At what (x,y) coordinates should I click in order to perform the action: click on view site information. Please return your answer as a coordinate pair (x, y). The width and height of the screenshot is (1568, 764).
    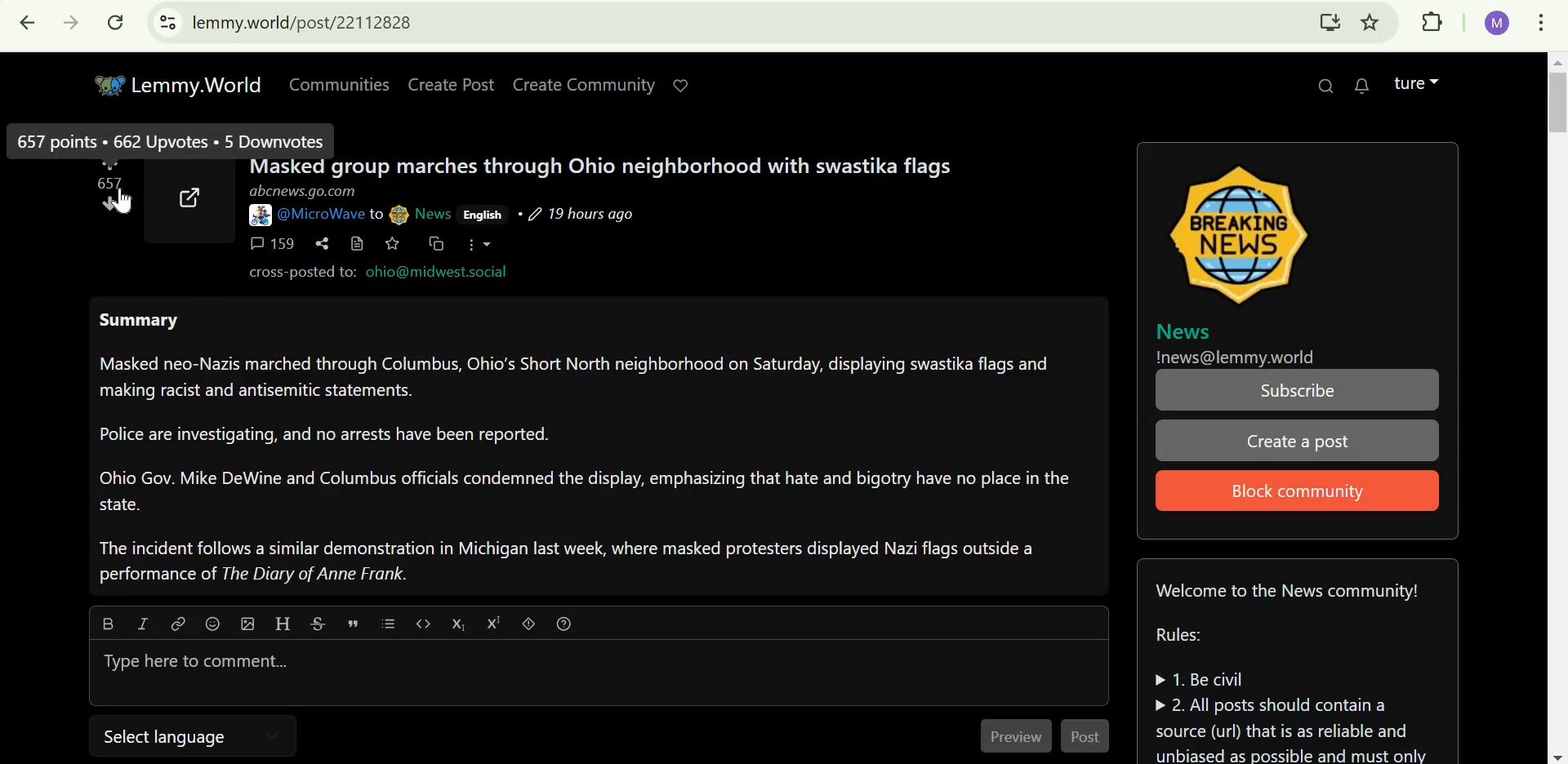
    Looking at the image, I should click on (167, 22).